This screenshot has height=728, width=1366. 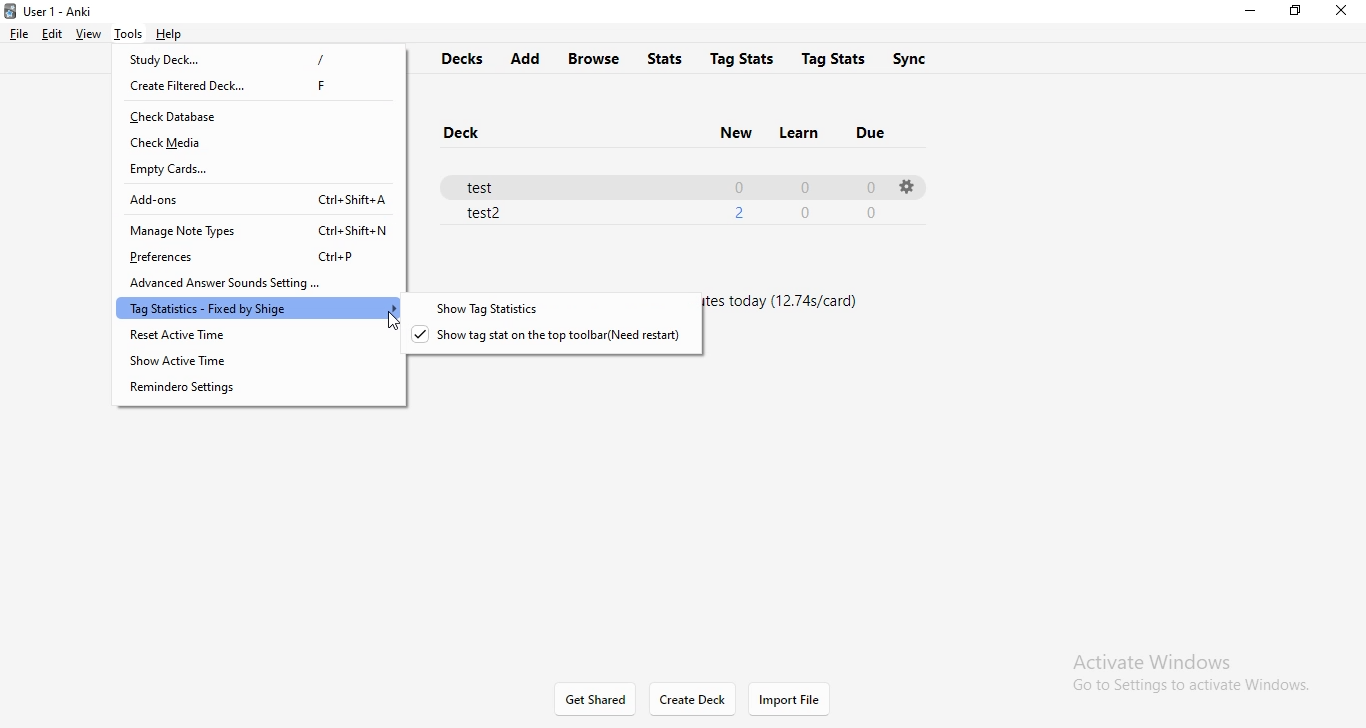 What do you see at coordinates (261, 86) in the screenshot?
I see `create filtered deck` at bounding box center [261, 86].